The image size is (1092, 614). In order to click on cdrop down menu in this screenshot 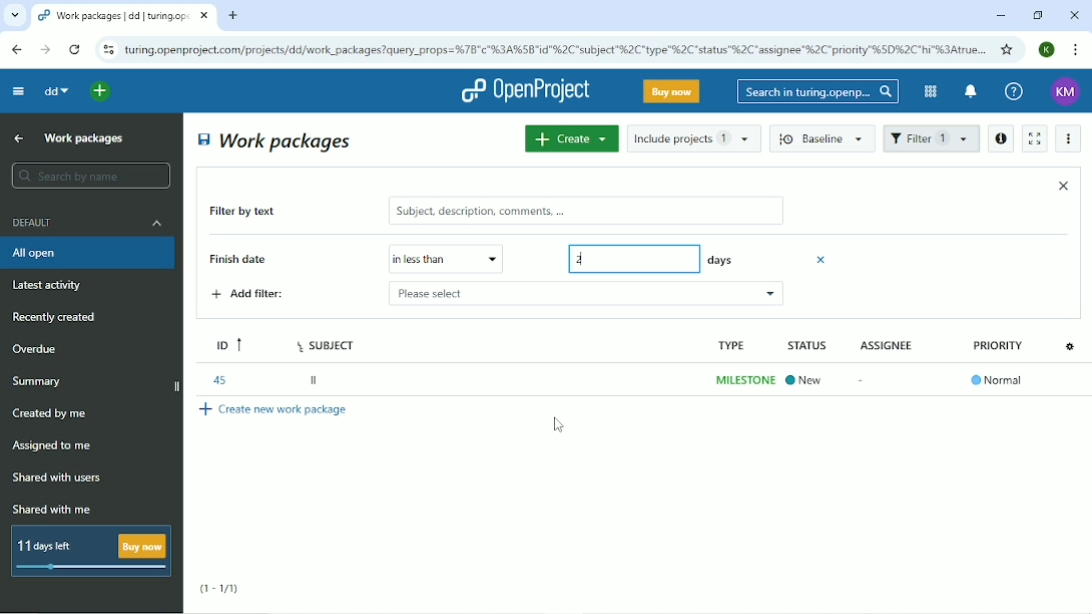, I will do `click(768, 297)`.